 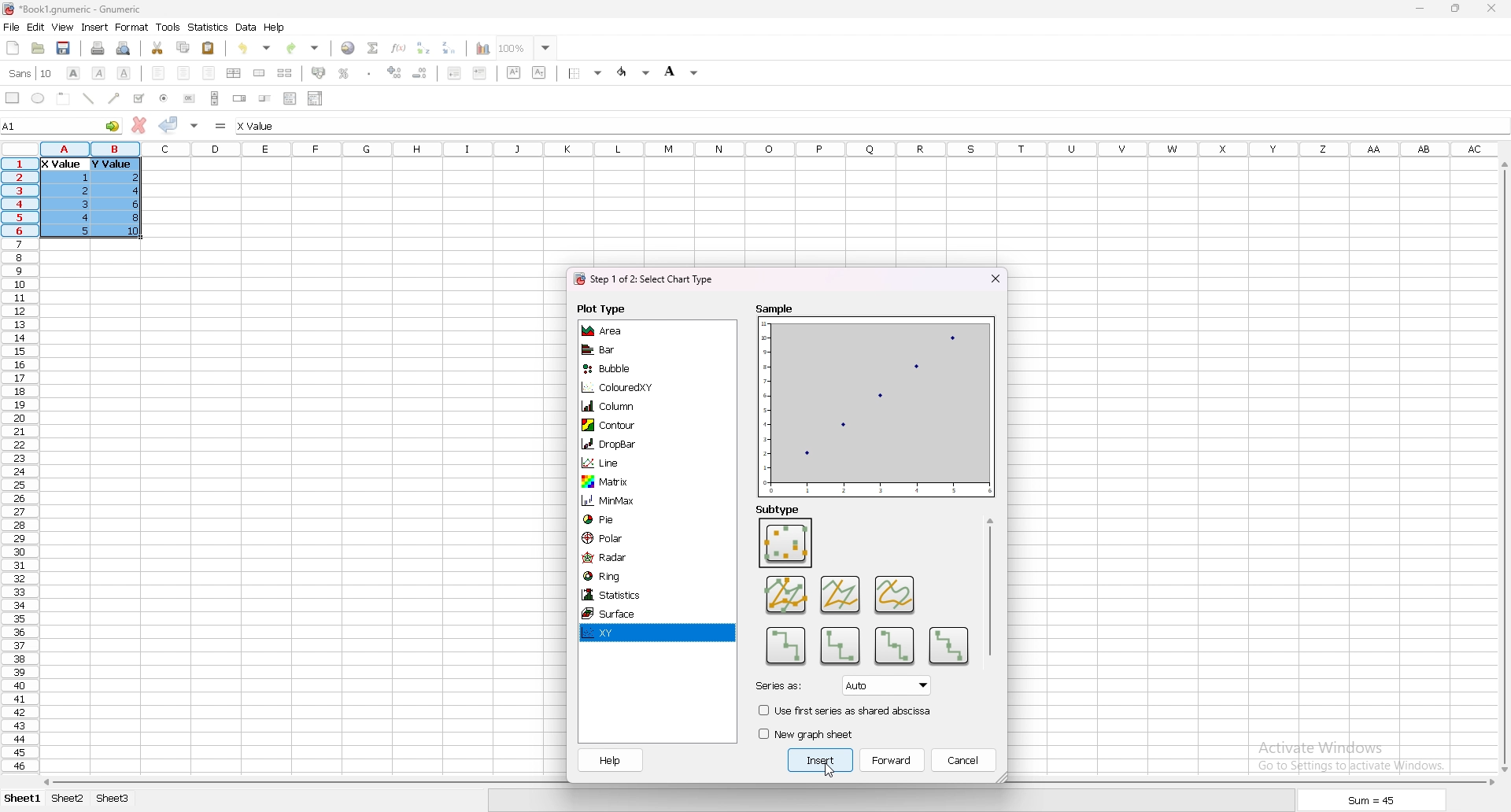 What do you see at coordinates (420, 73) in the screenshot?
I see `decrease decimals` at bounding box center [420, 73].